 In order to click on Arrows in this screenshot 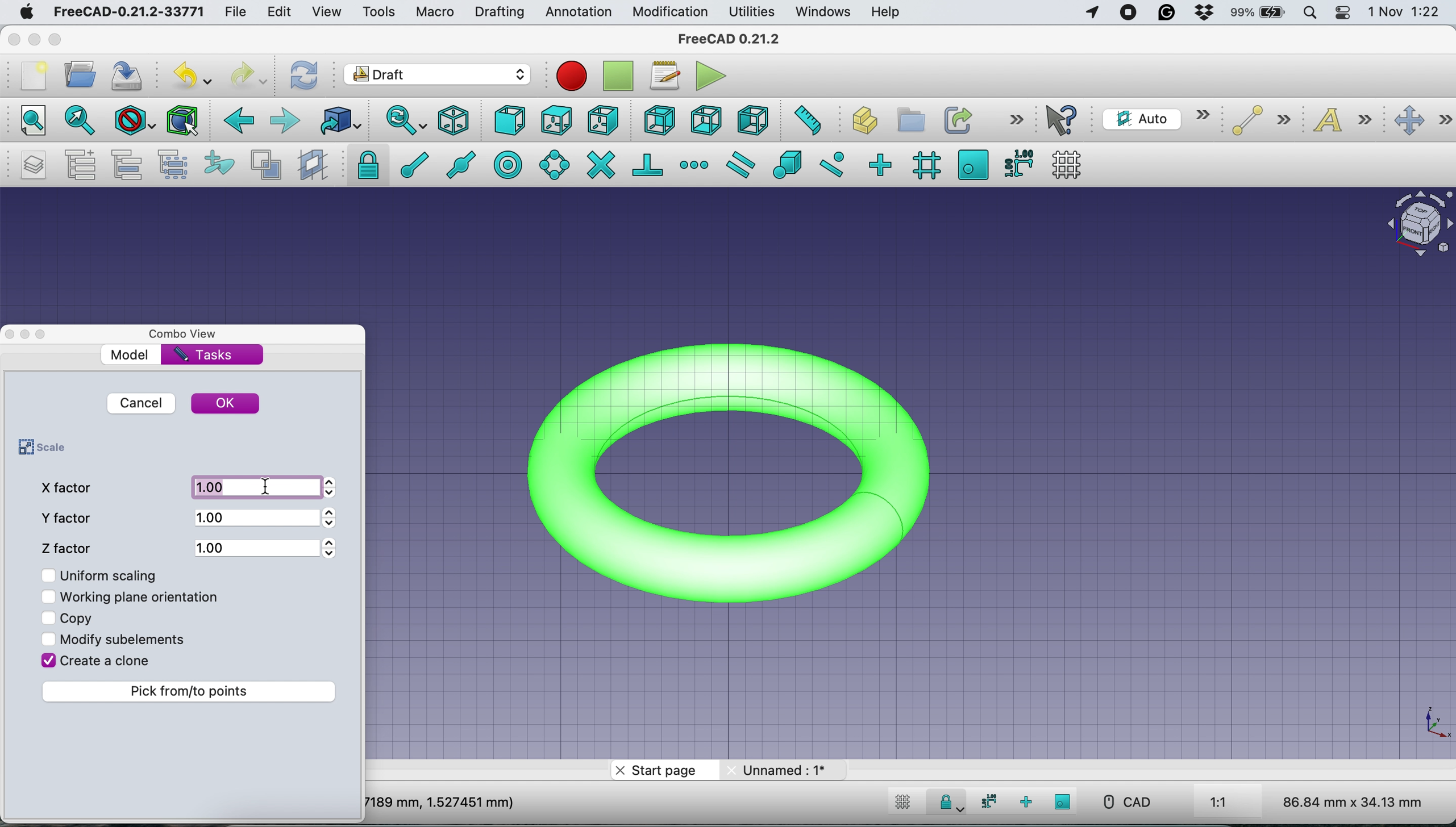, I will do `click(335, 487)`.